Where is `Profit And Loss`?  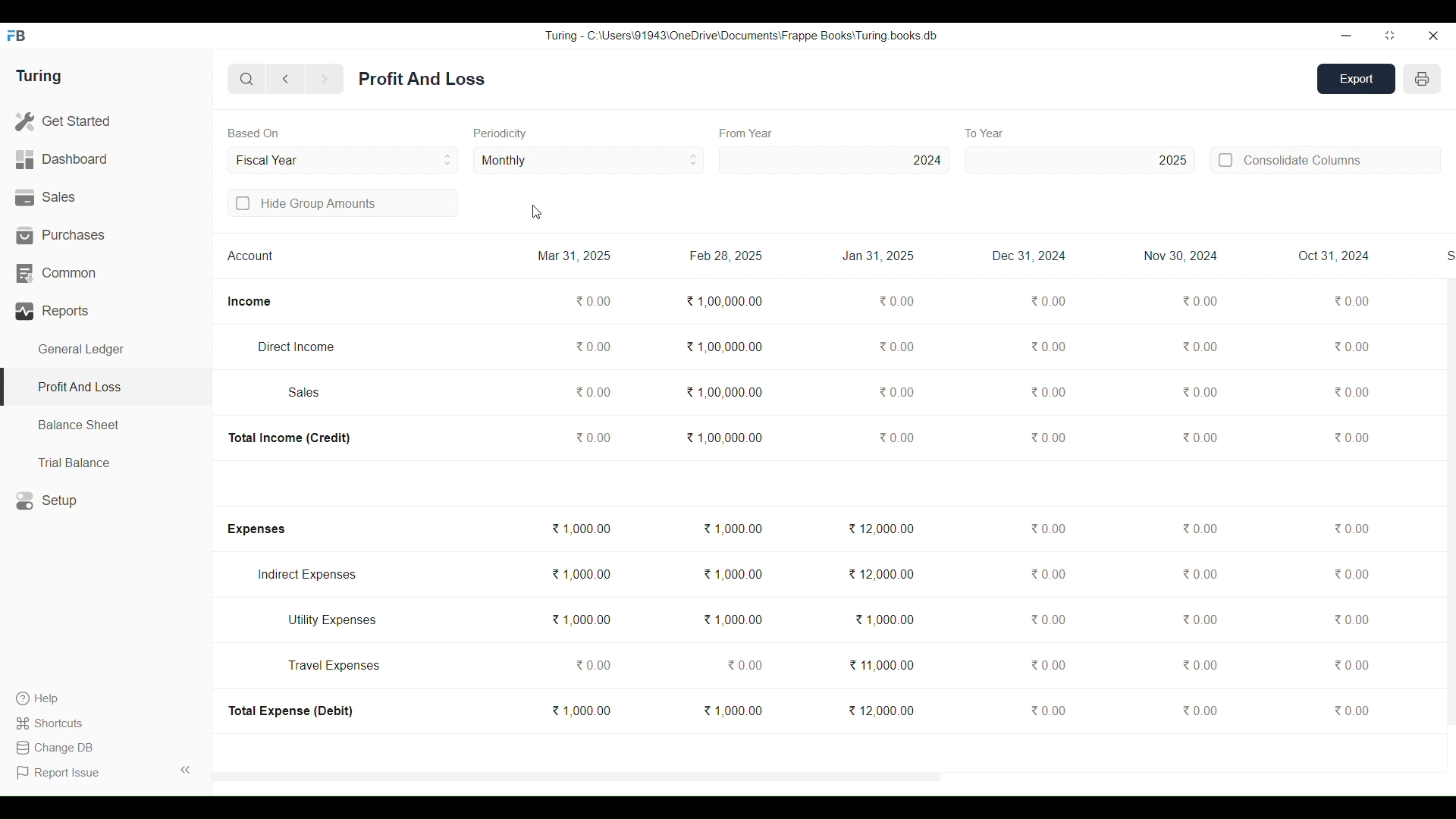 Profit And Loss is located at coordinates (105, 388).